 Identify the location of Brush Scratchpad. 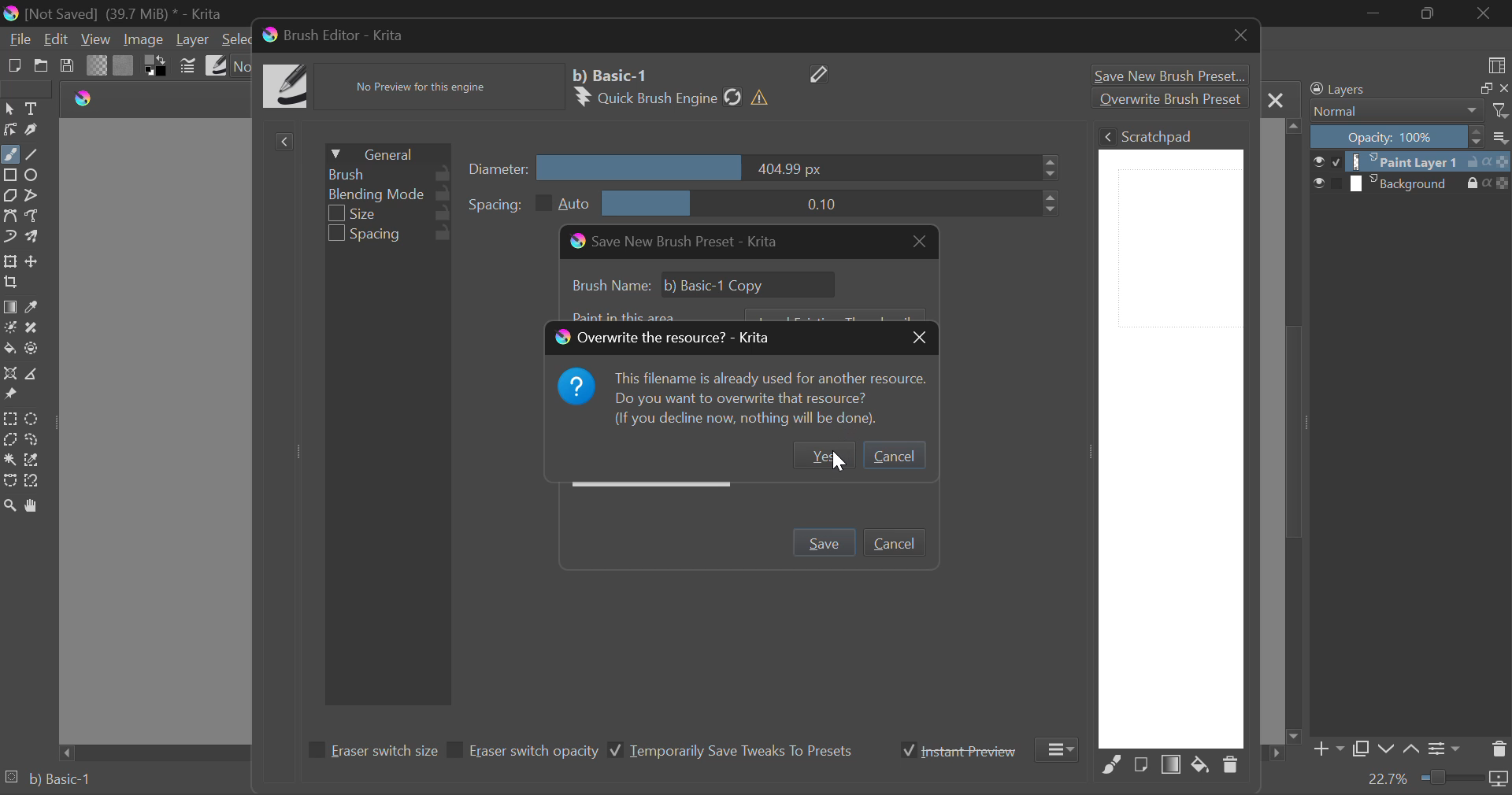
(1173, 433).